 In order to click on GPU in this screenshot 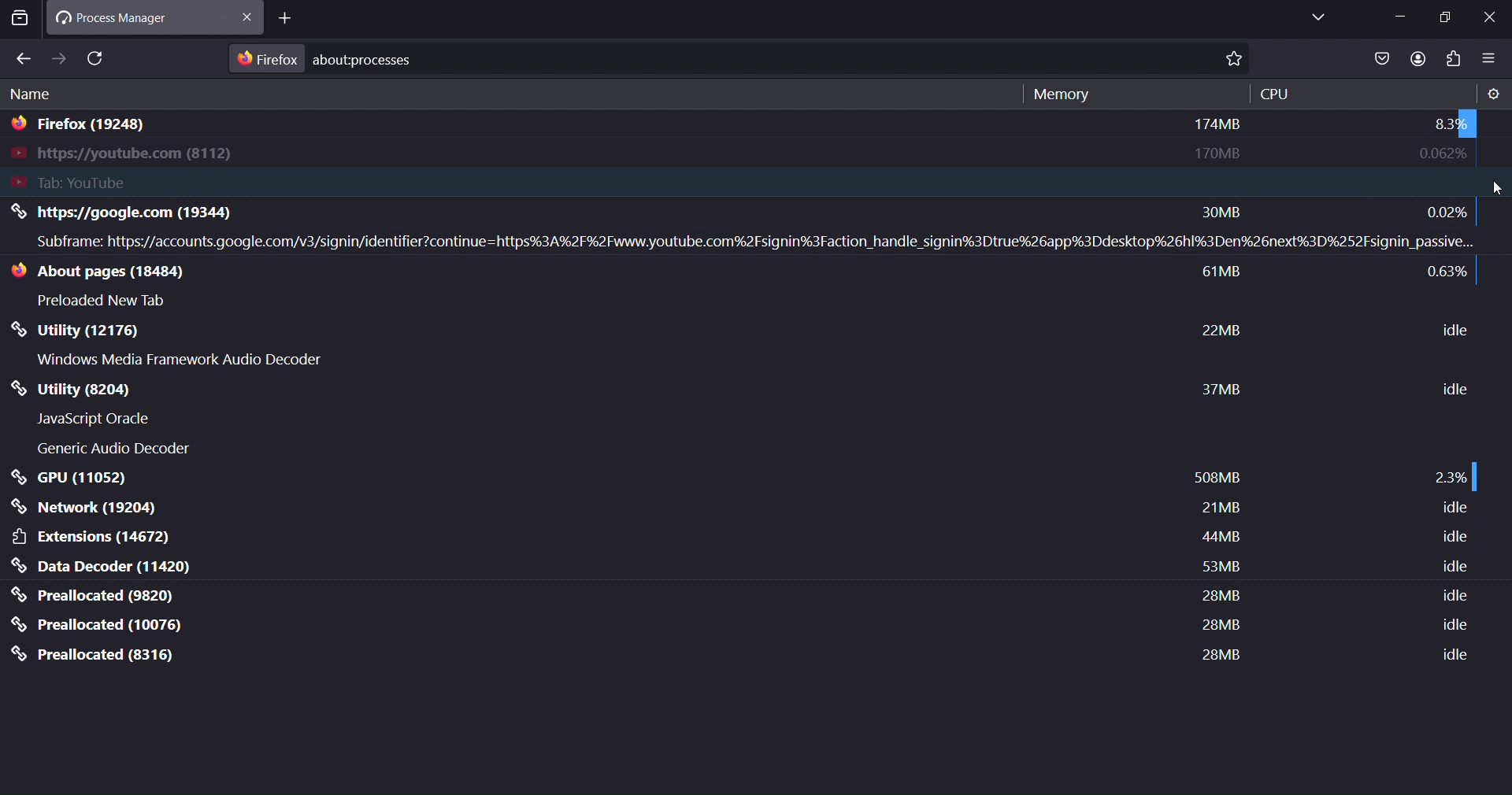, I will do `click(70, 478)`.